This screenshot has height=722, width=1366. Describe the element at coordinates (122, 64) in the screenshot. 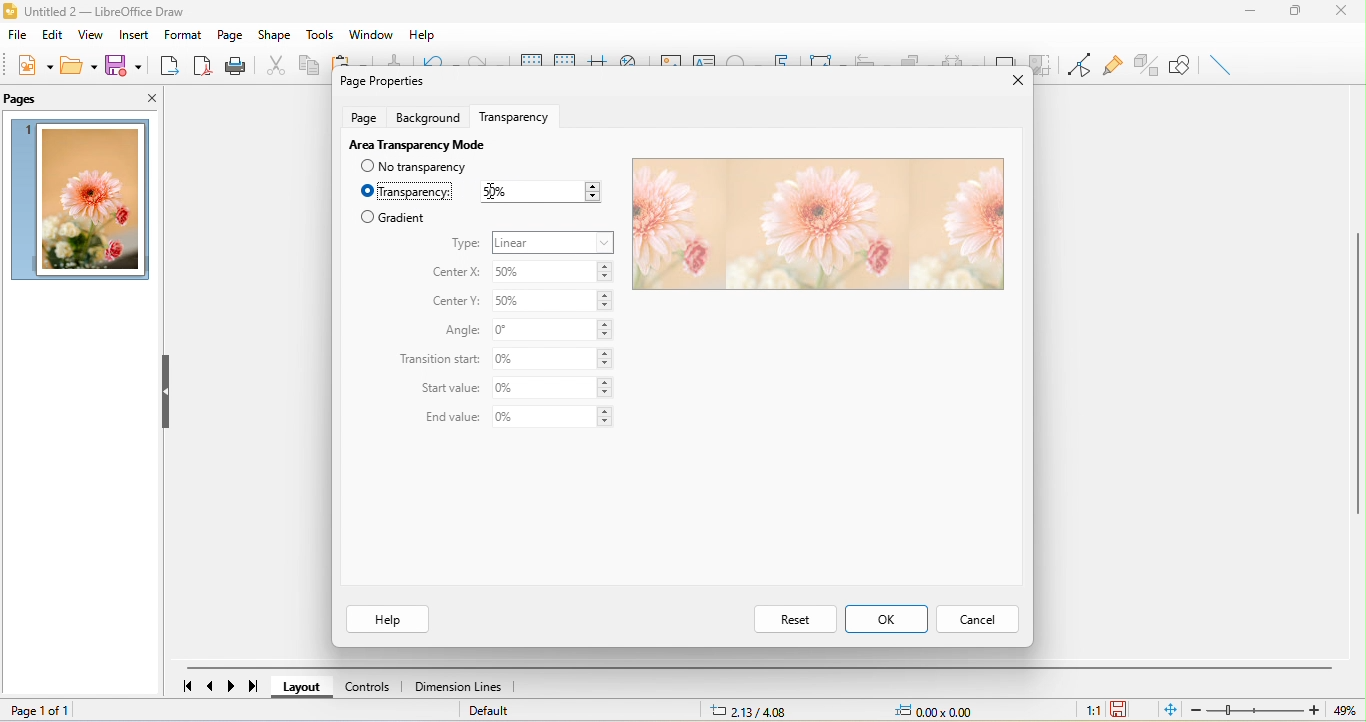

I see `save` at that location.